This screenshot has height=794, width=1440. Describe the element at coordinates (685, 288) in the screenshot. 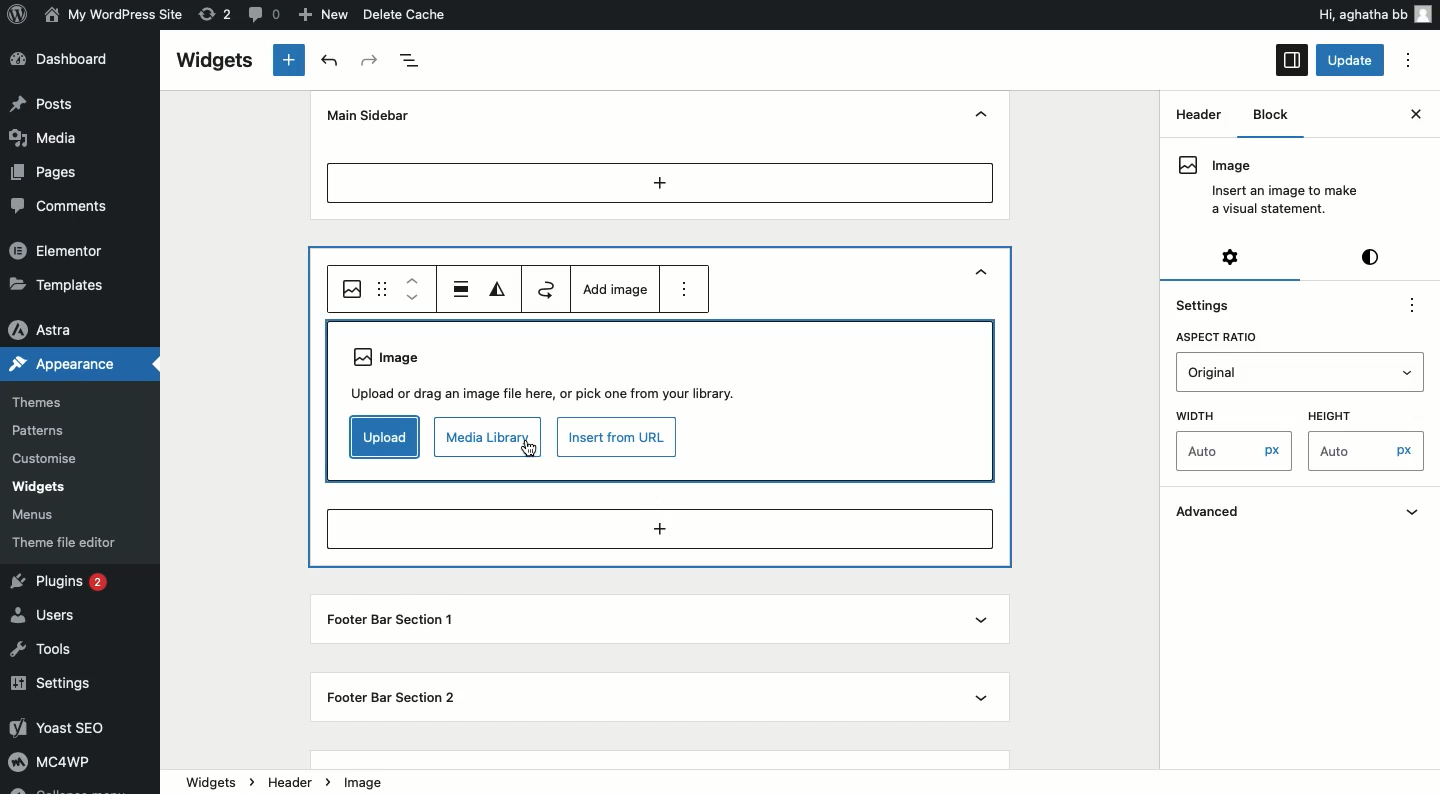

I see `more` at that location.